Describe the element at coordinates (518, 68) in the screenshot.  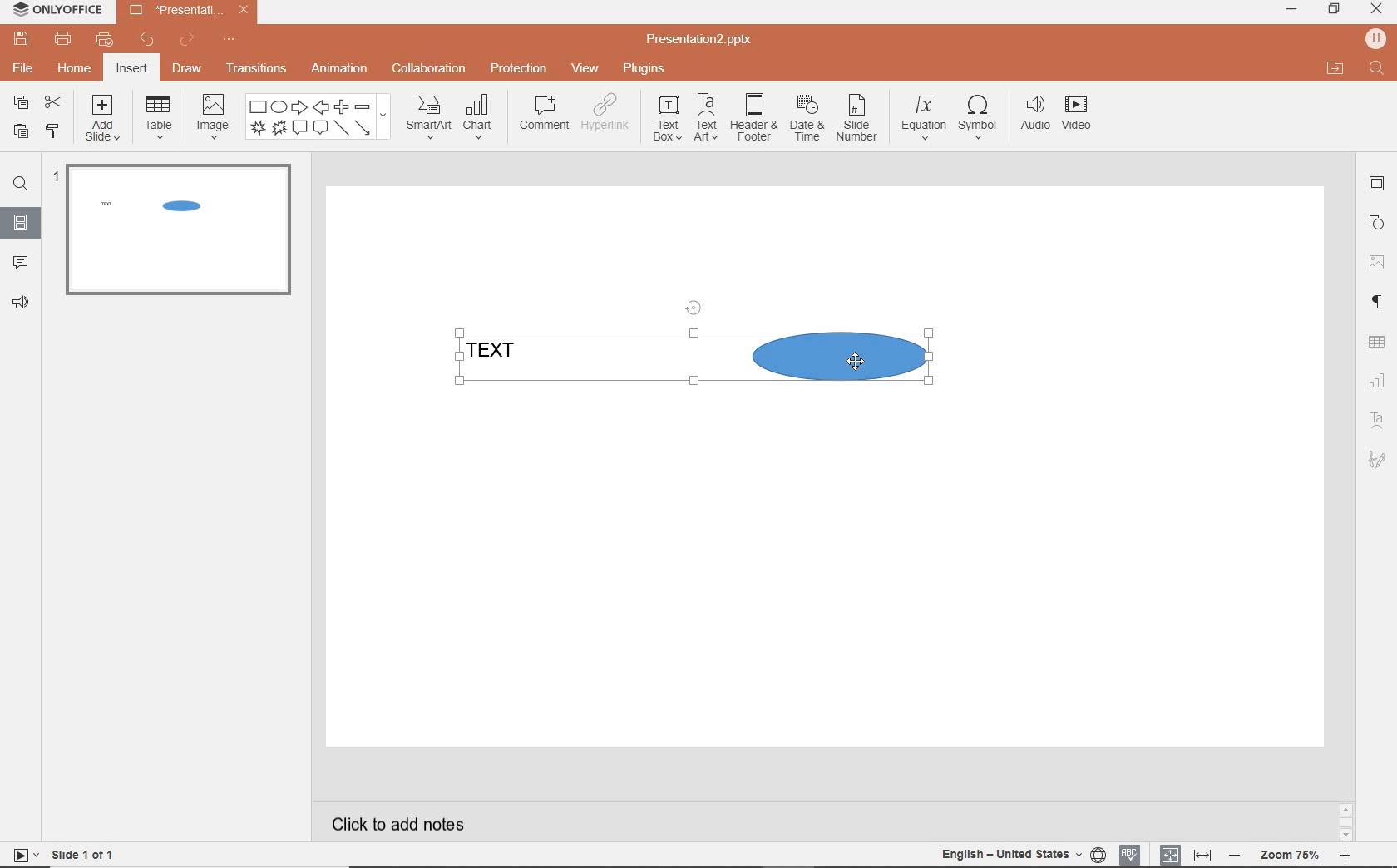
I see `protection` at that location.